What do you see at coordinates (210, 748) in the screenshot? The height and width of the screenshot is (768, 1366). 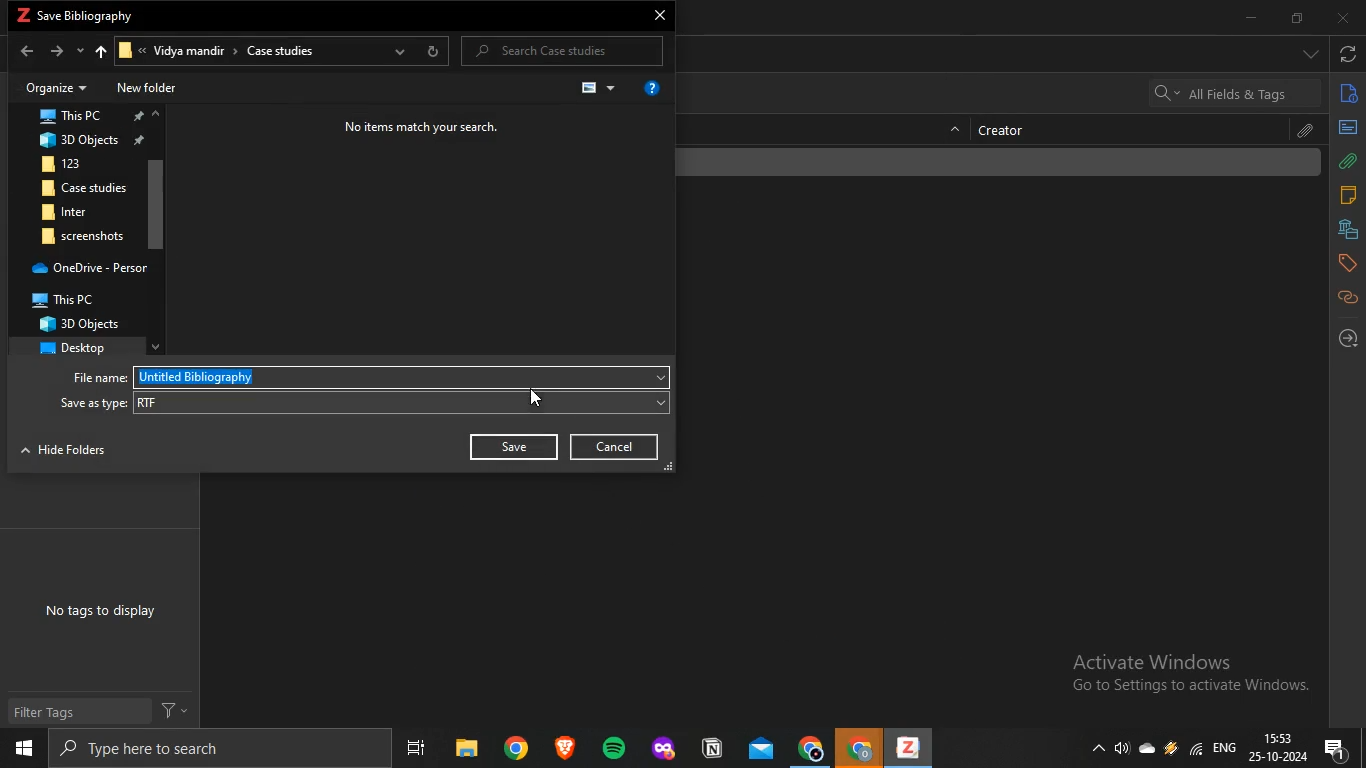 I see `search` at bounding box center [210, 748].